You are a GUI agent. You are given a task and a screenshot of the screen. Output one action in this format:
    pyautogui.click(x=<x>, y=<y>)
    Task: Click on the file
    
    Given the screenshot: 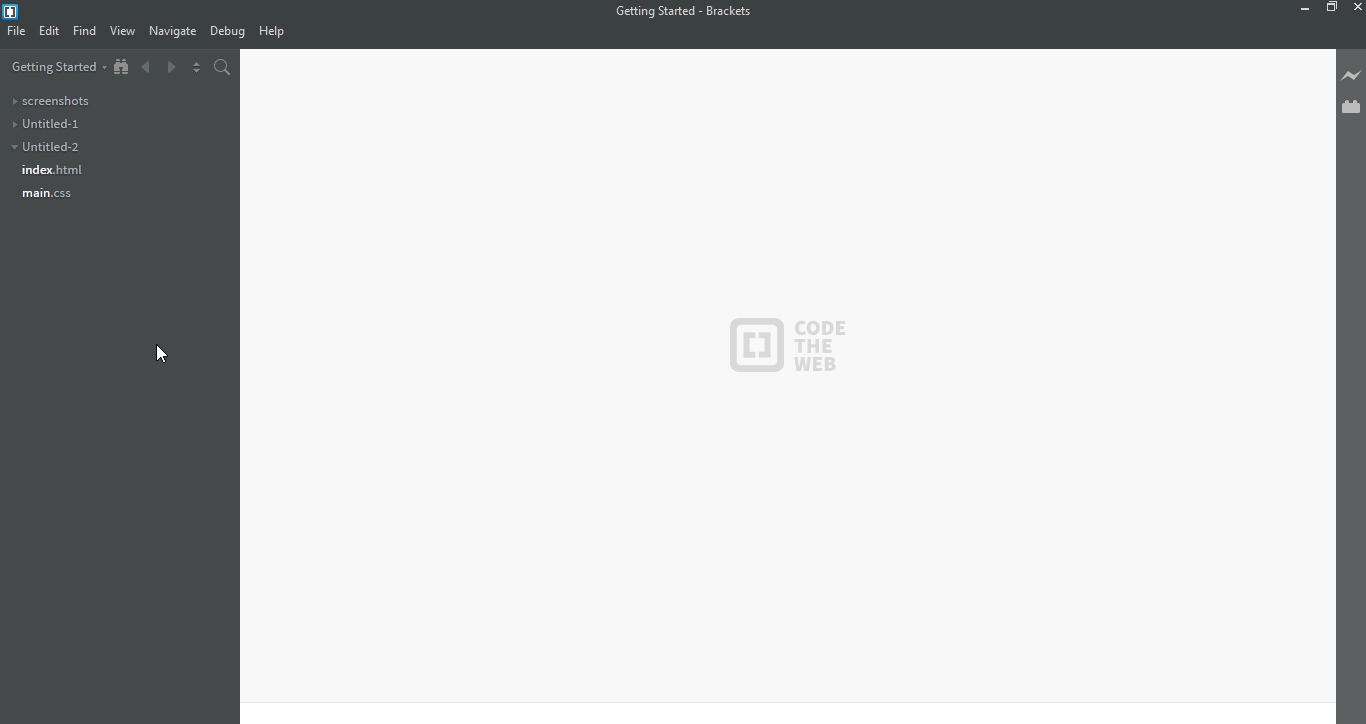 What is the action you would take?
    pyautogui.click(x=17, y=32)
    